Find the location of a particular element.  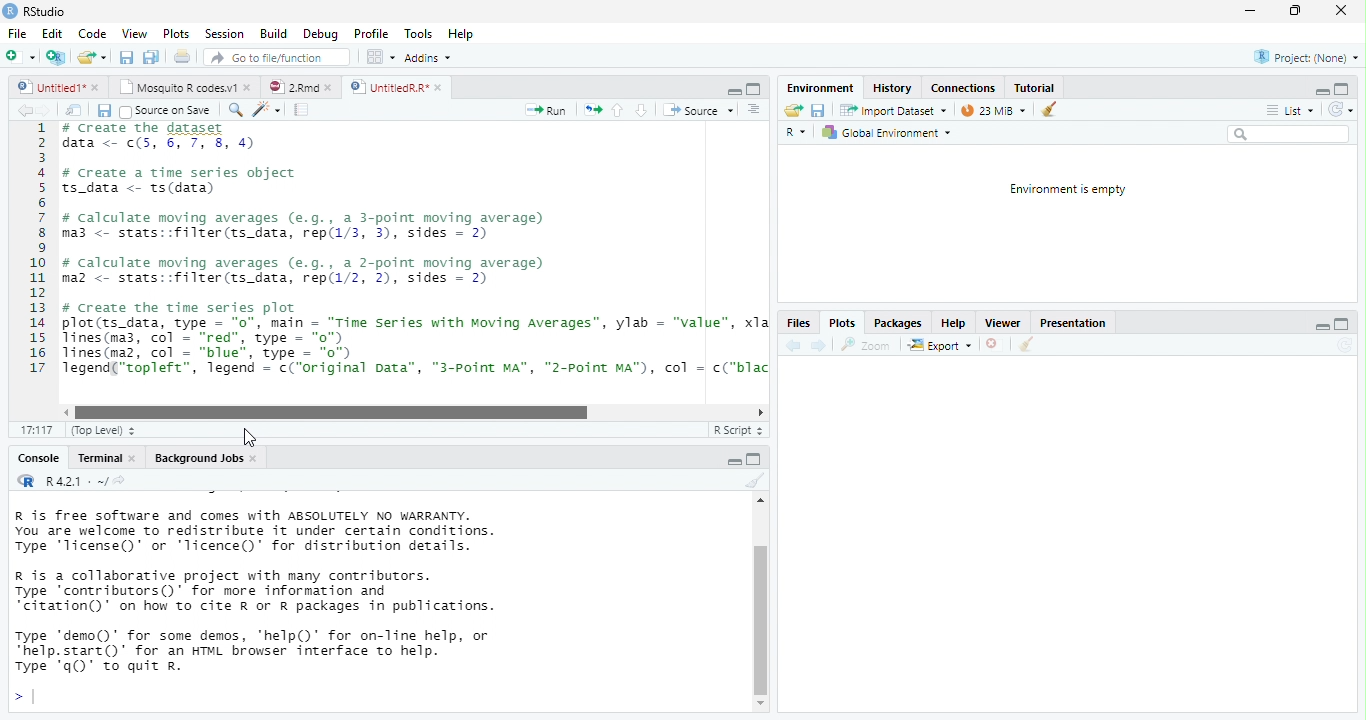

R Script is located at coordinates (736, 430).